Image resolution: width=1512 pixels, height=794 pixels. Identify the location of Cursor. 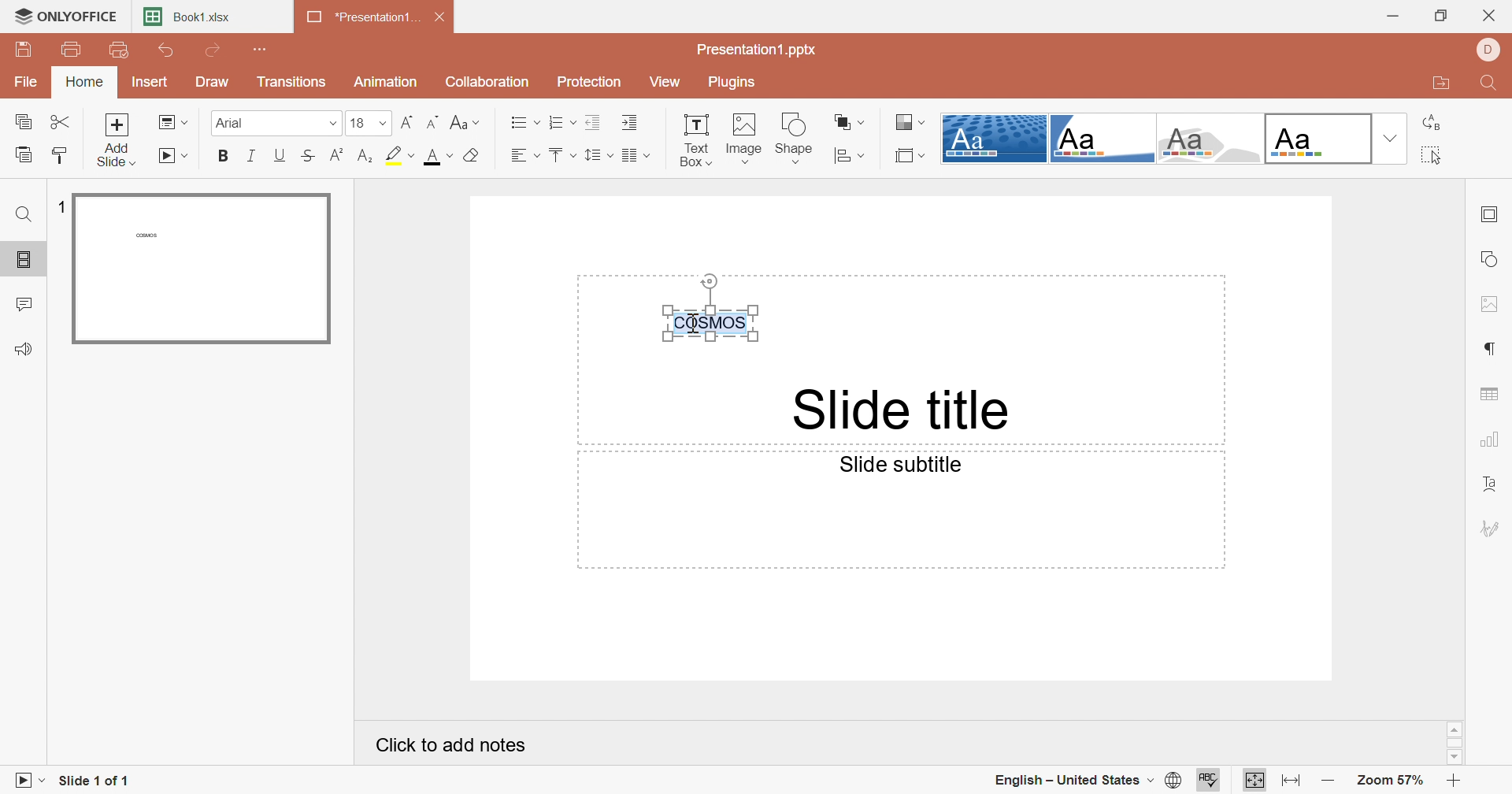
(690, 325).